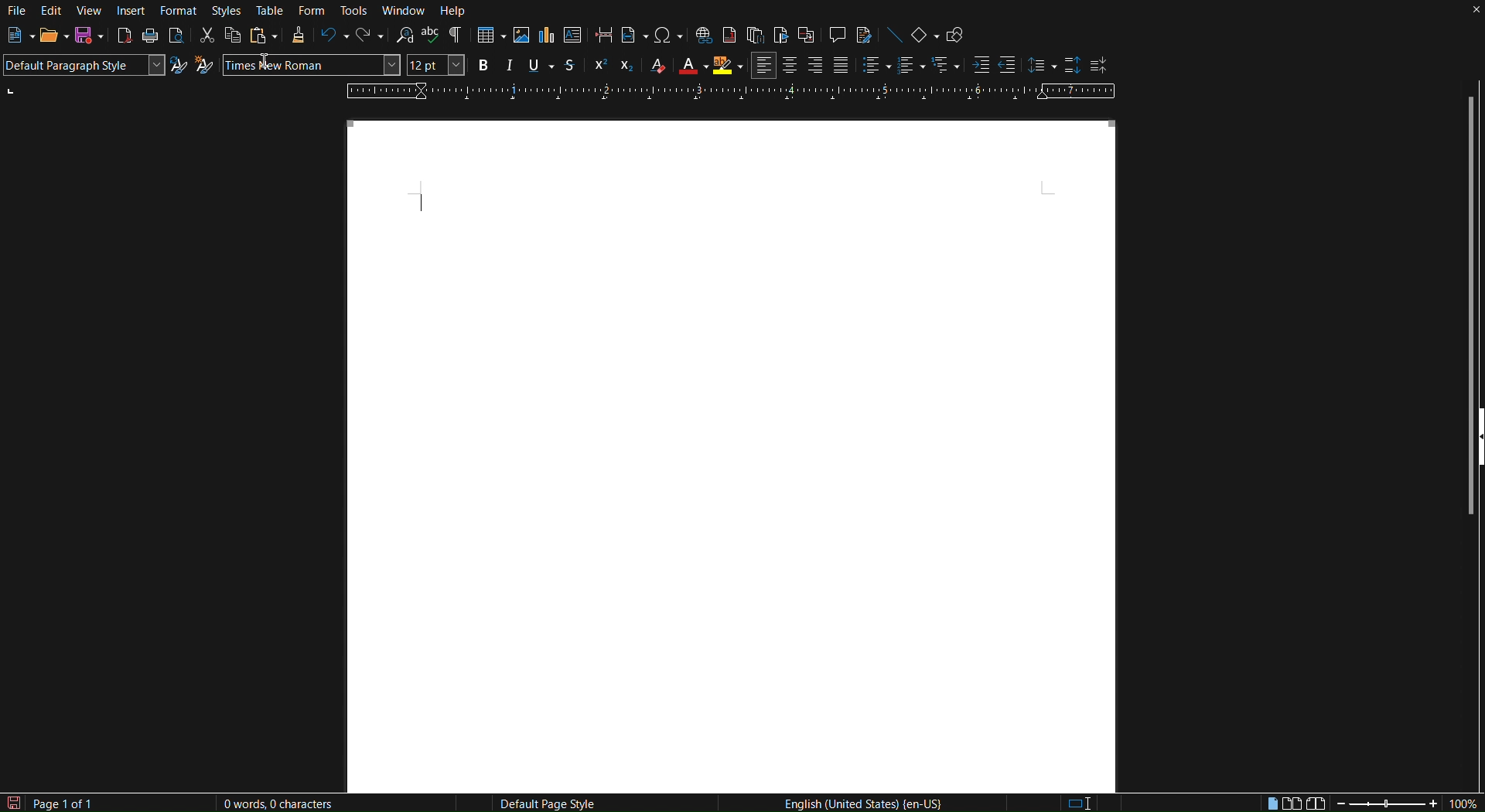 This screenshot has height=812, width=1485. What do you see at coordinates (754, 37) in the screenshot?
I see `Insert Endnote` at bounding box center [754, 37].